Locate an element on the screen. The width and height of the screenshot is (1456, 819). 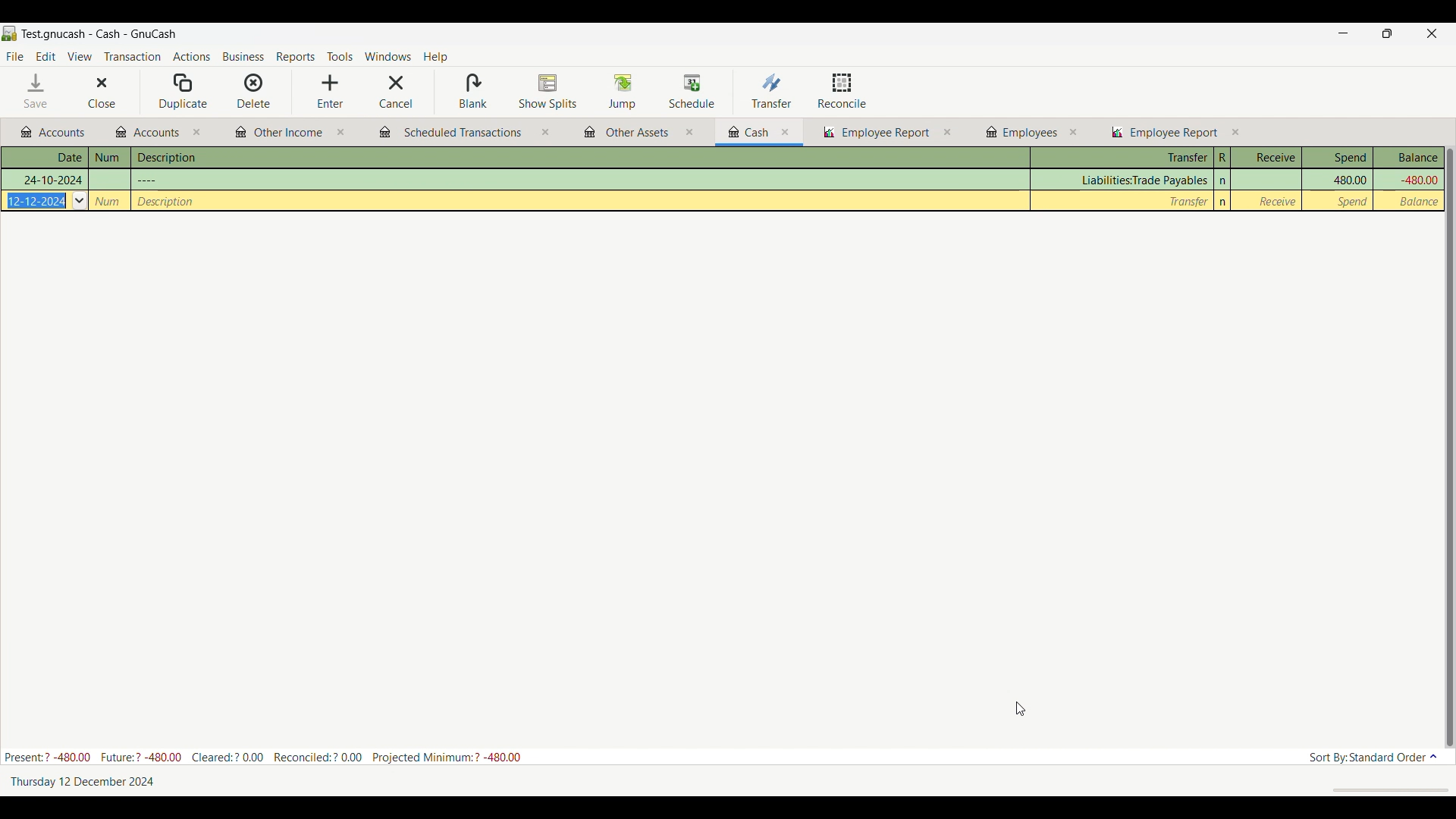
Close interface is located at coordinates (1432, 33).